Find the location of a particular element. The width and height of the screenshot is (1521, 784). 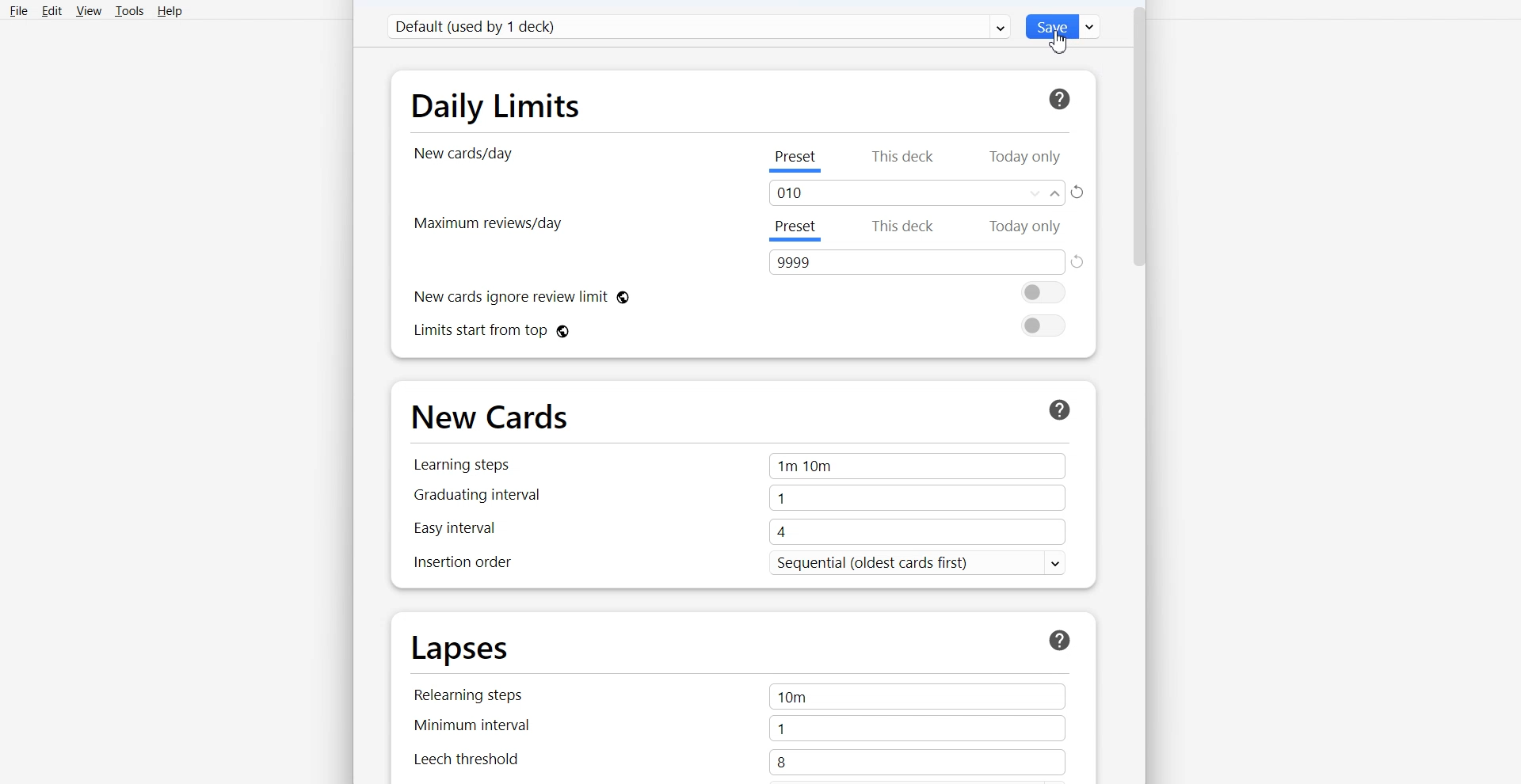

Preset is located at coordinates (793, 230).